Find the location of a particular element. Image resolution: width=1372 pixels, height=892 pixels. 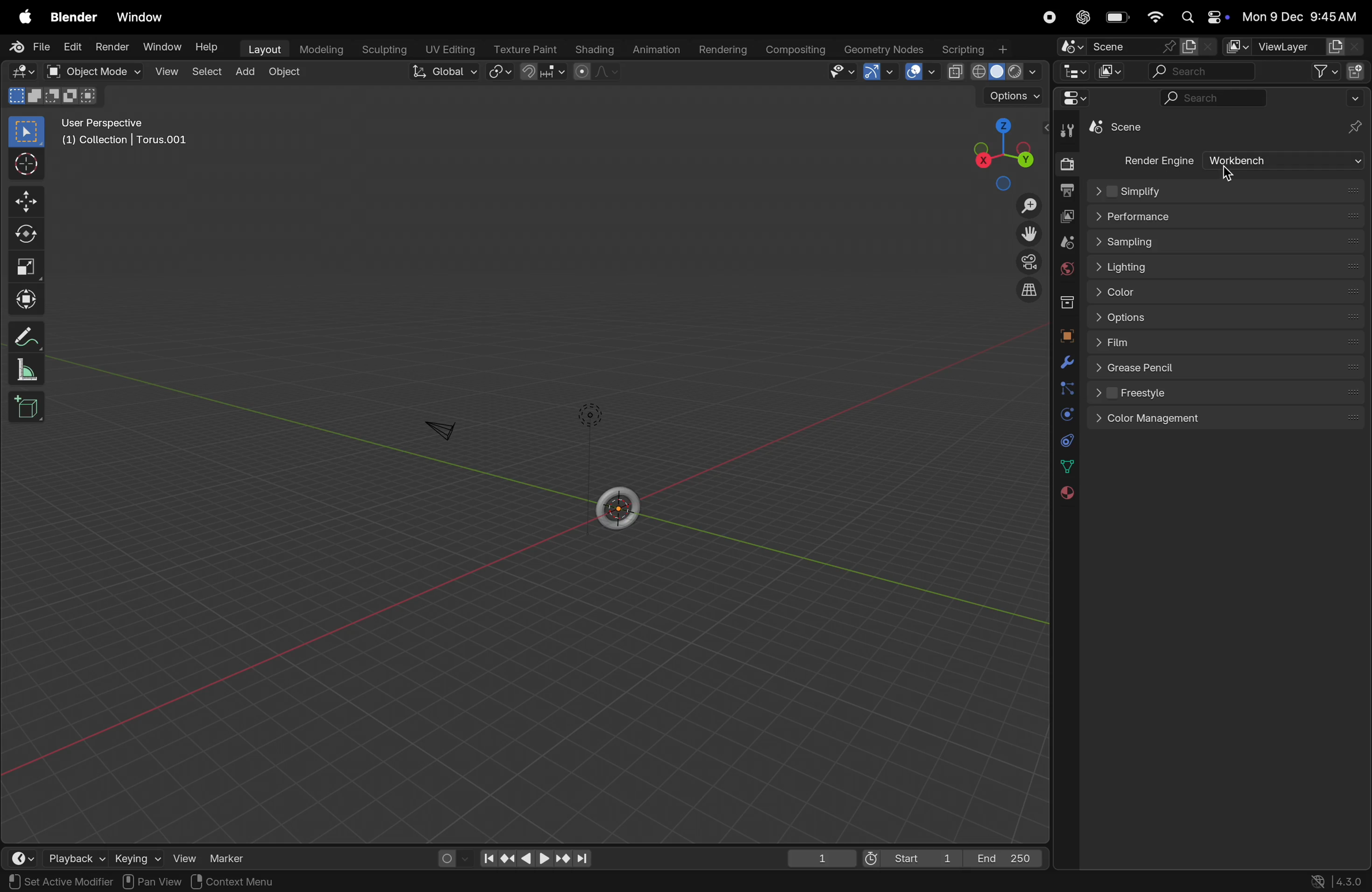

collection is located at coordinates (1064, 303).